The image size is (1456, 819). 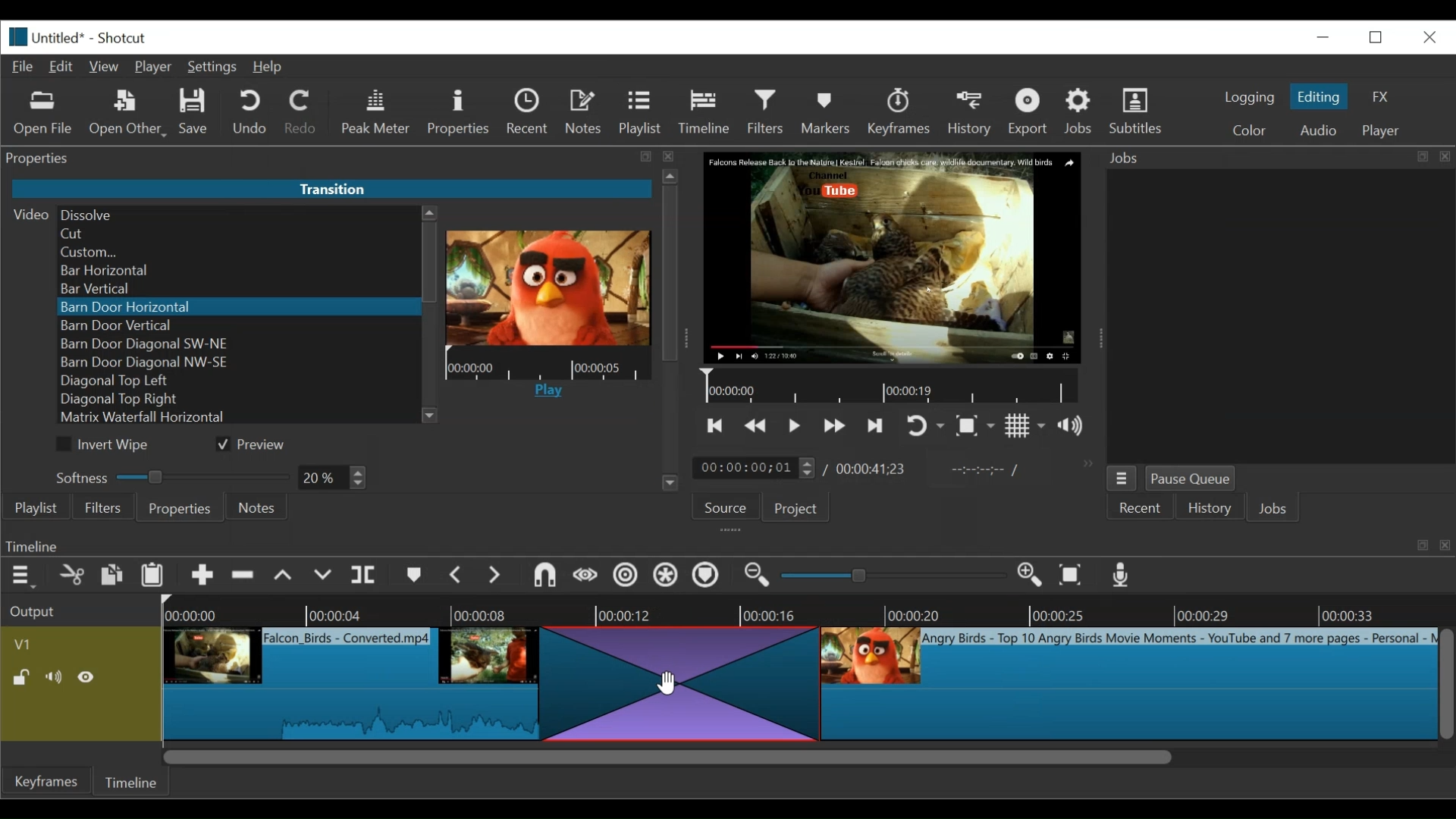 I want to click on (un)lock track, so click(x=25, y=678).